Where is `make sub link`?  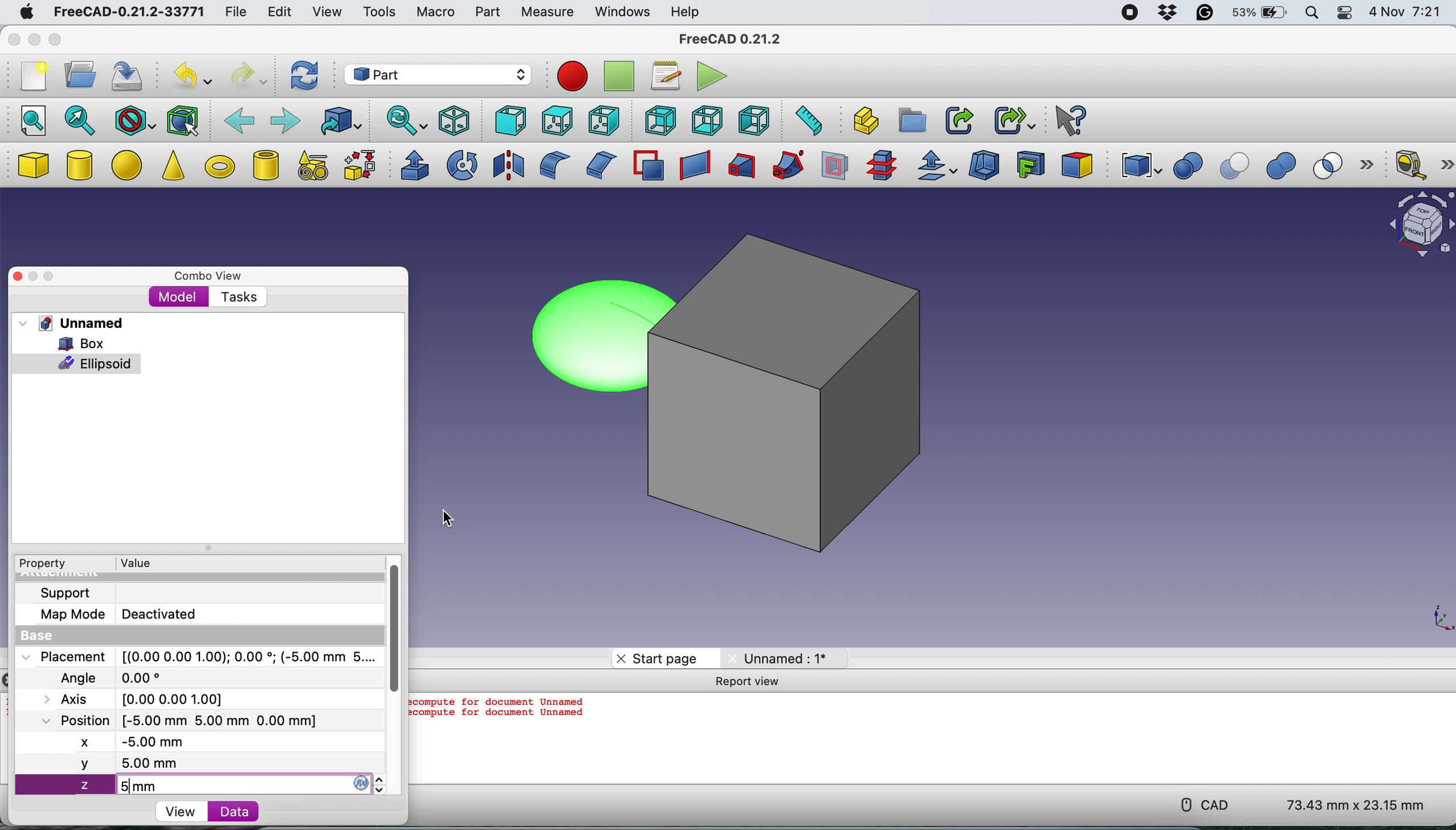
make sub link is located at coordinates (1015, 119).